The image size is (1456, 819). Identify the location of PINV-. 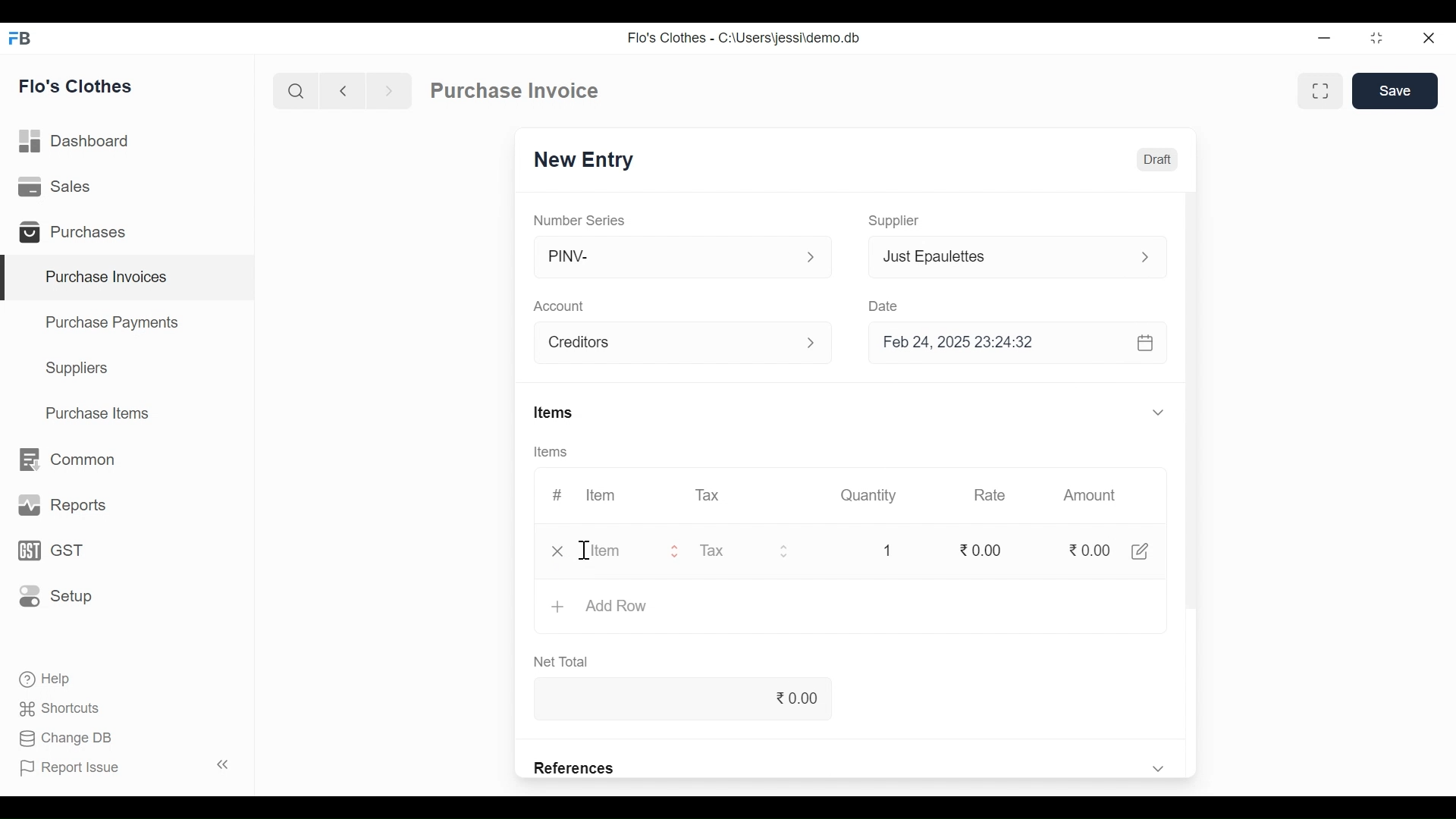
(667, 257).